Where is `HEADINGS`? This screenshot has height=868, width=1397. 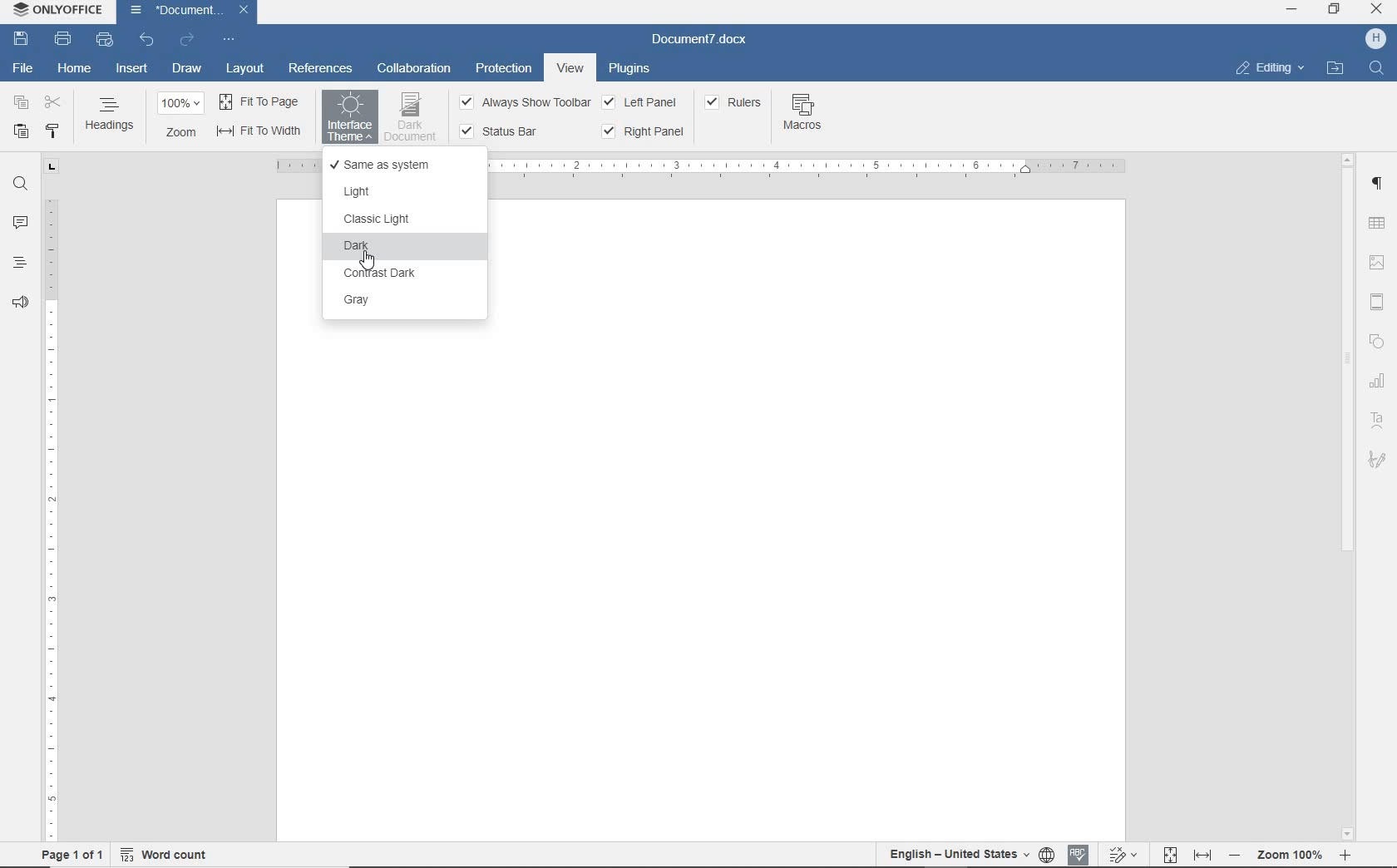
HEADINGS is located at coordinates (111, 116).